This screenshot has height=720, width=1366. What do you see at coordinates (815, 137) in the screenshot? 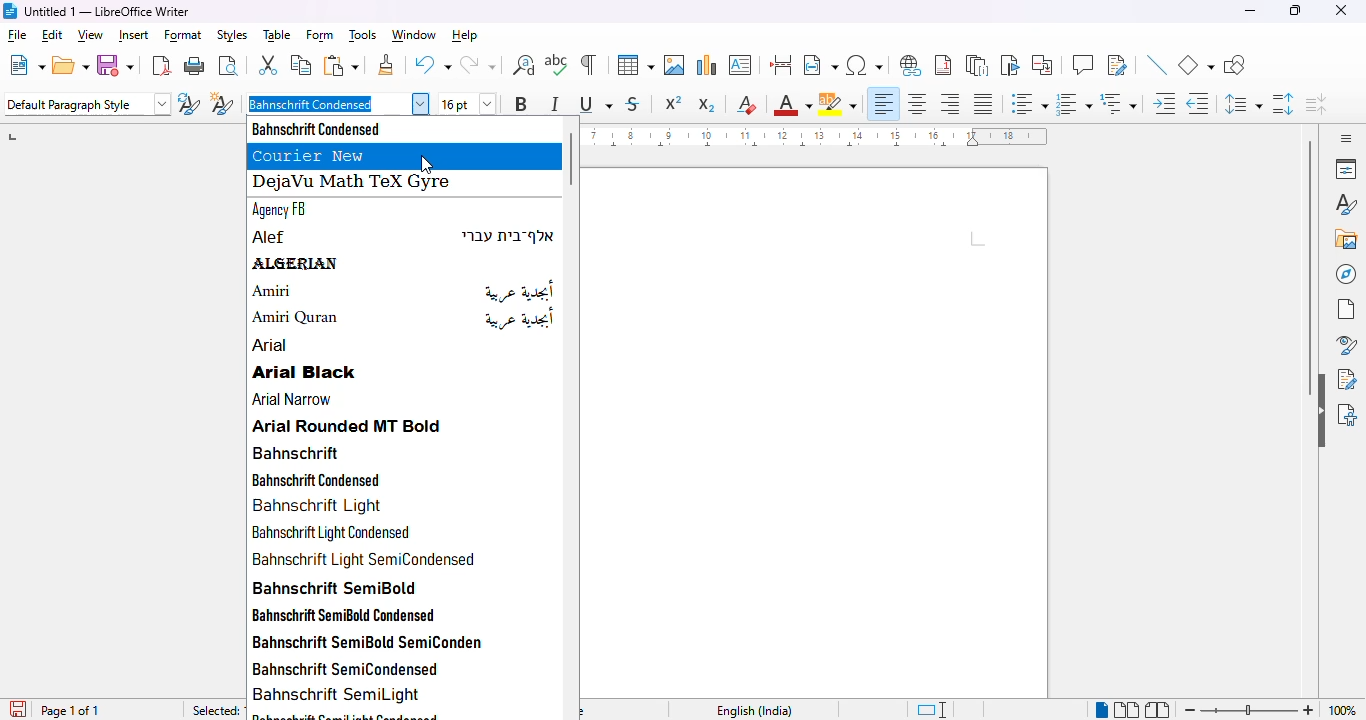
I see `ruler` at bounding box center [815, 137].